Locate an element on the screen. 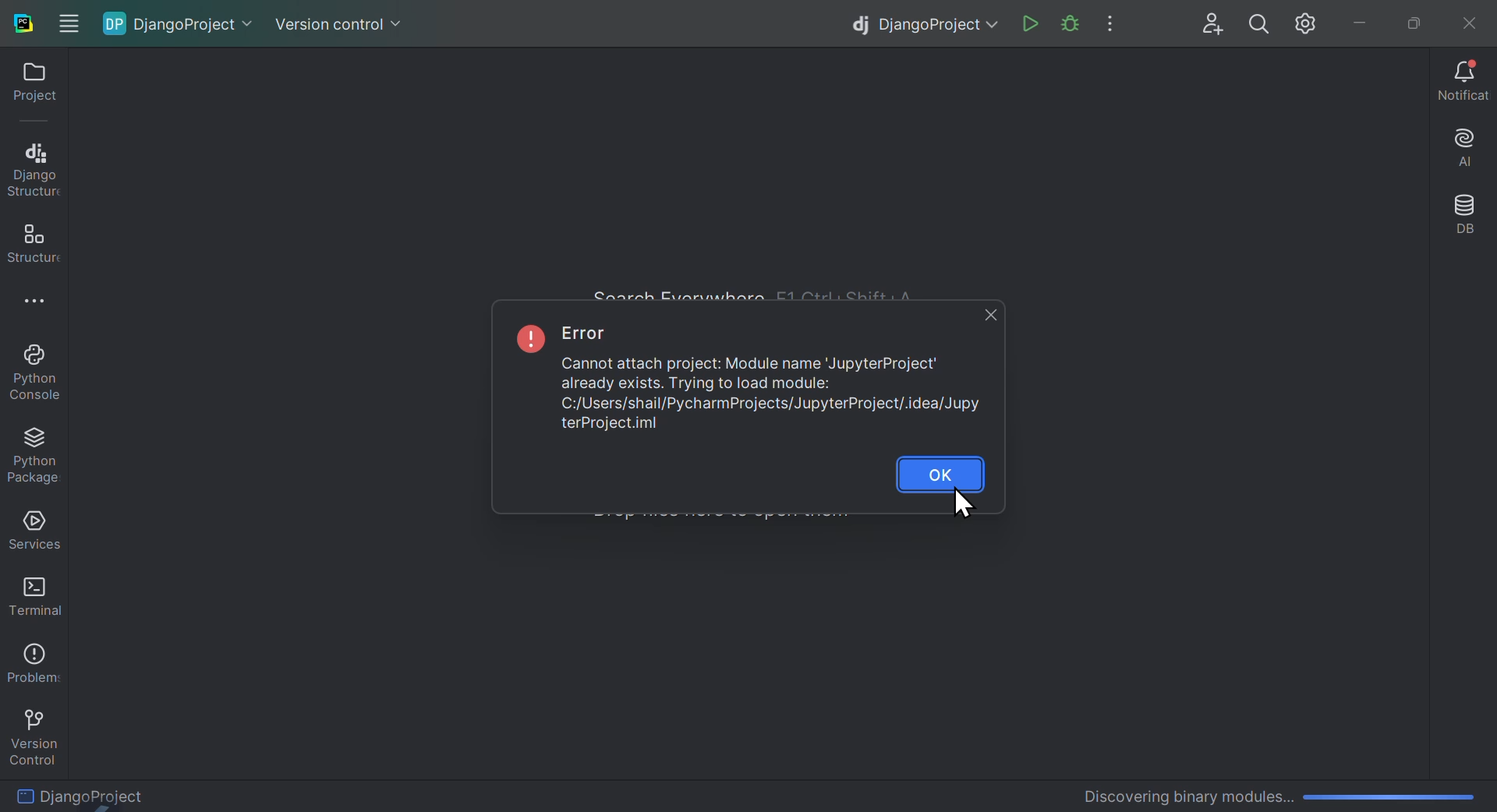 This screenshot has width=1497, height=812. Version control is located at coordinates (340, 19).